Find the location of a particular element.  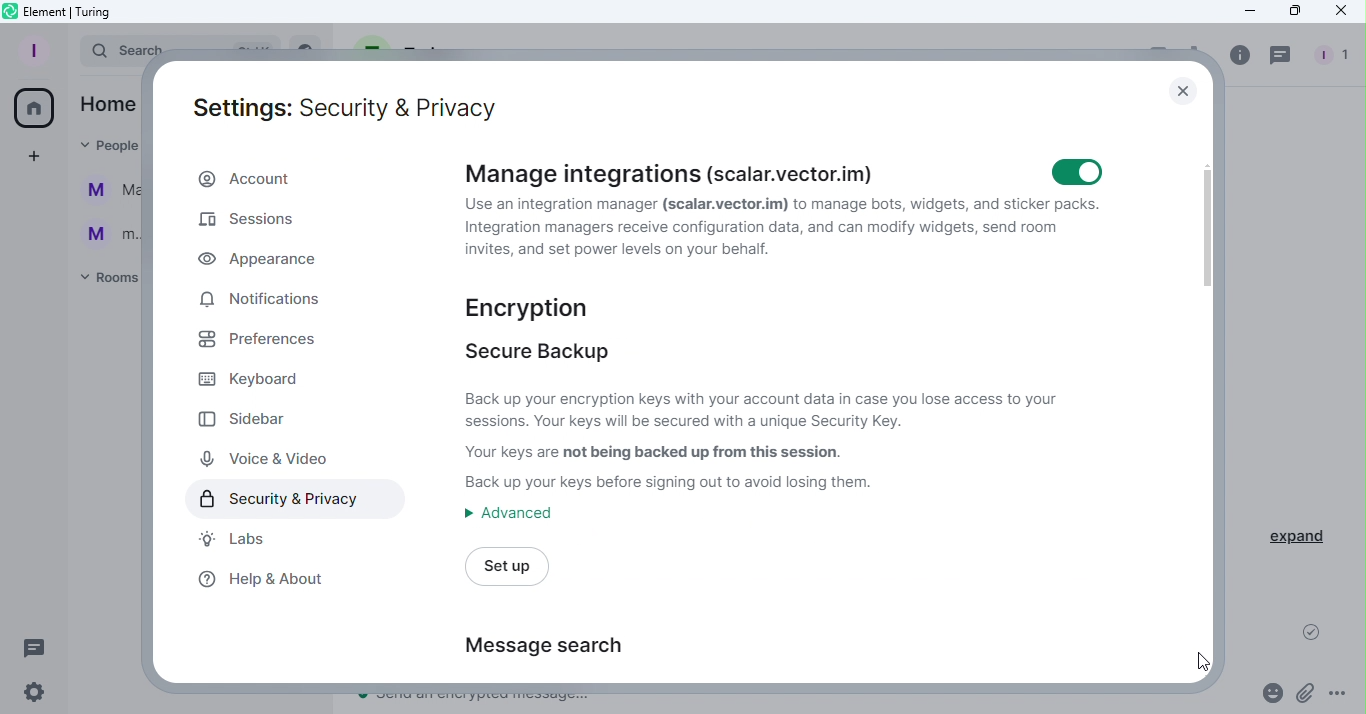

Expand is located at coordinates (1298, 537).